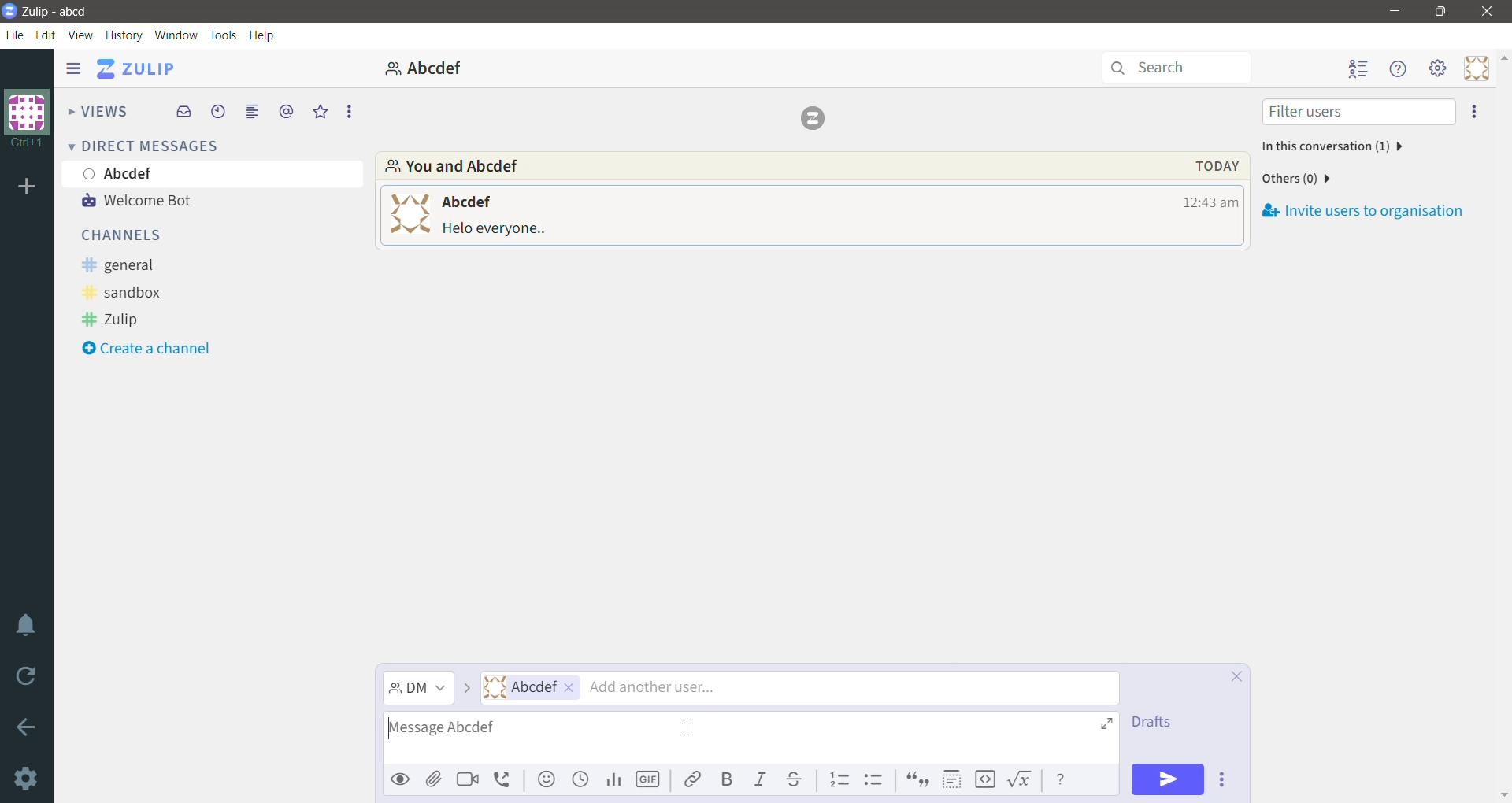 This screenshot has width=1512, height=803. I want to click on abcdef, so click(427, 67).